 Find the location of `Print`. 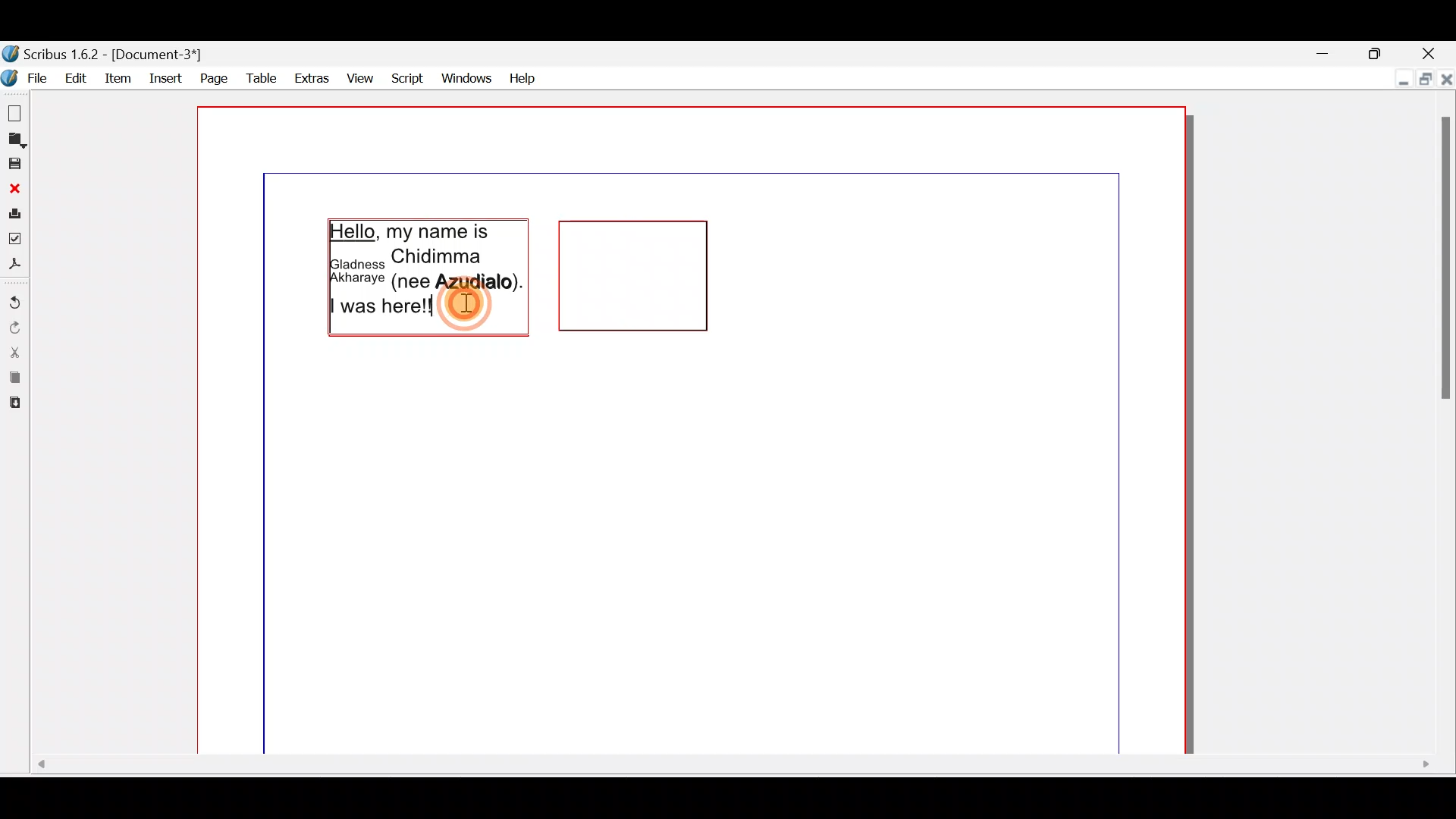

Print is located at coordinates (14, 212).